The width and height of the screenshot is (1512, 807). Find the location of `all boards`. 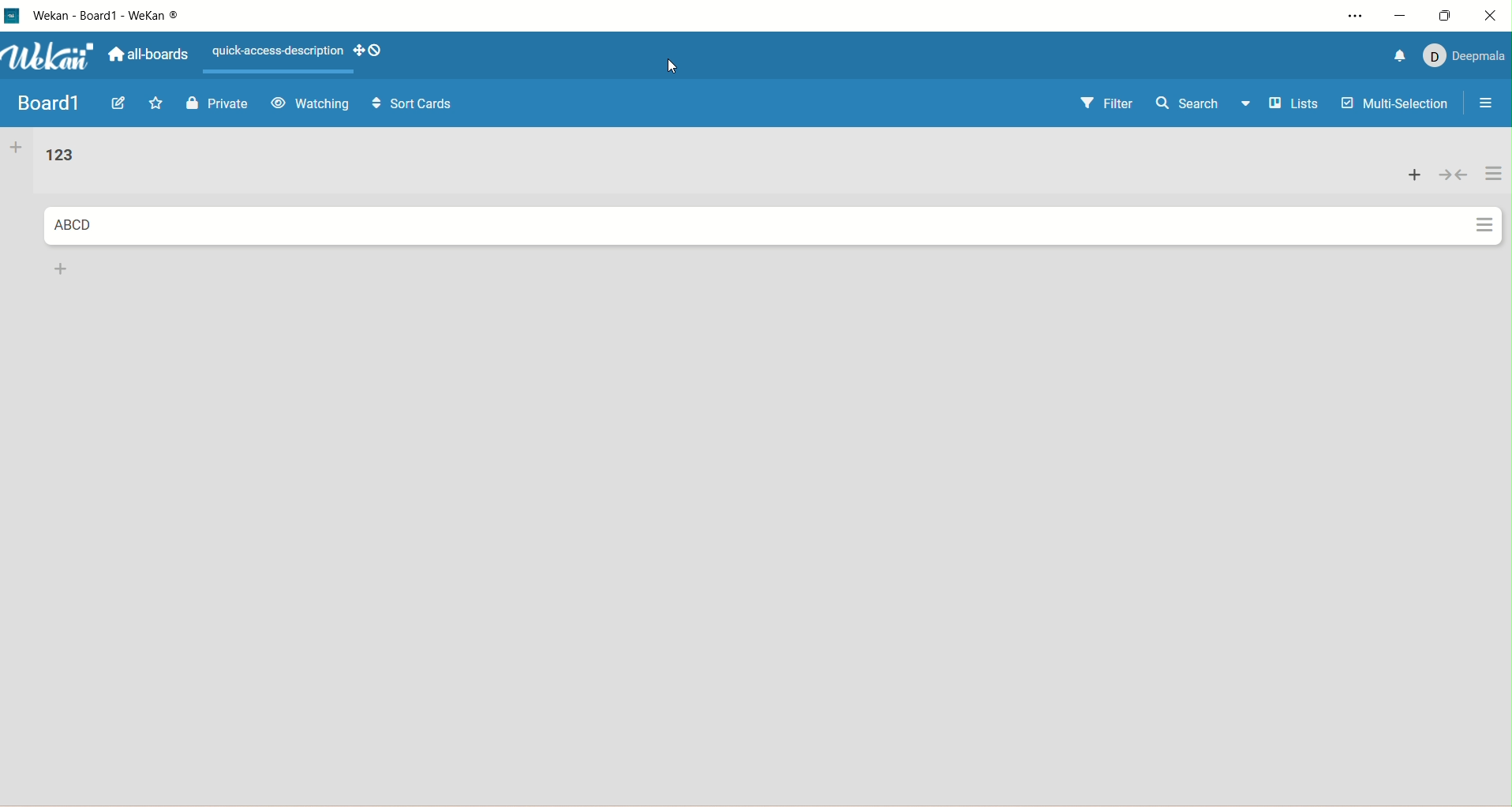

all boards is located at coordinates (147, 54).